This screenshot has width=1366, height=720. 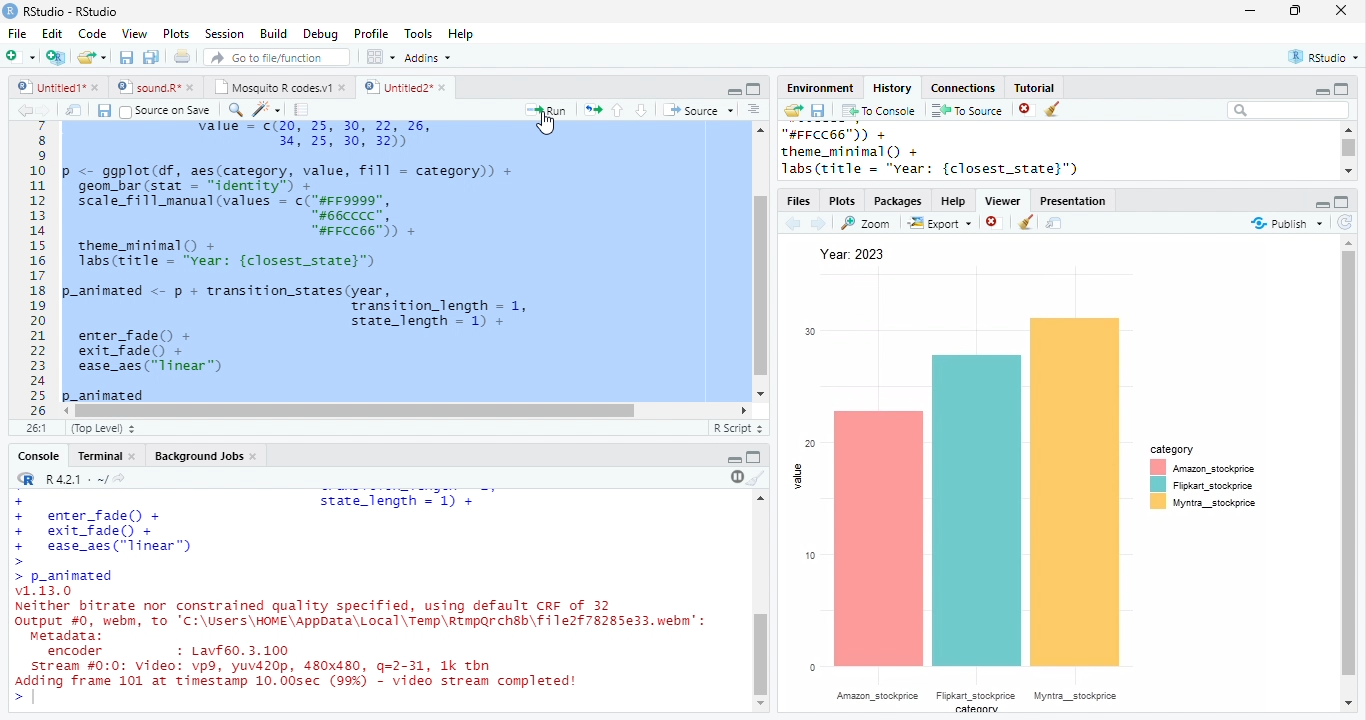 What do you see at coordinates (1288, 110) in the screenshot?
I see `search bar` at bounding box center [1288, 110].